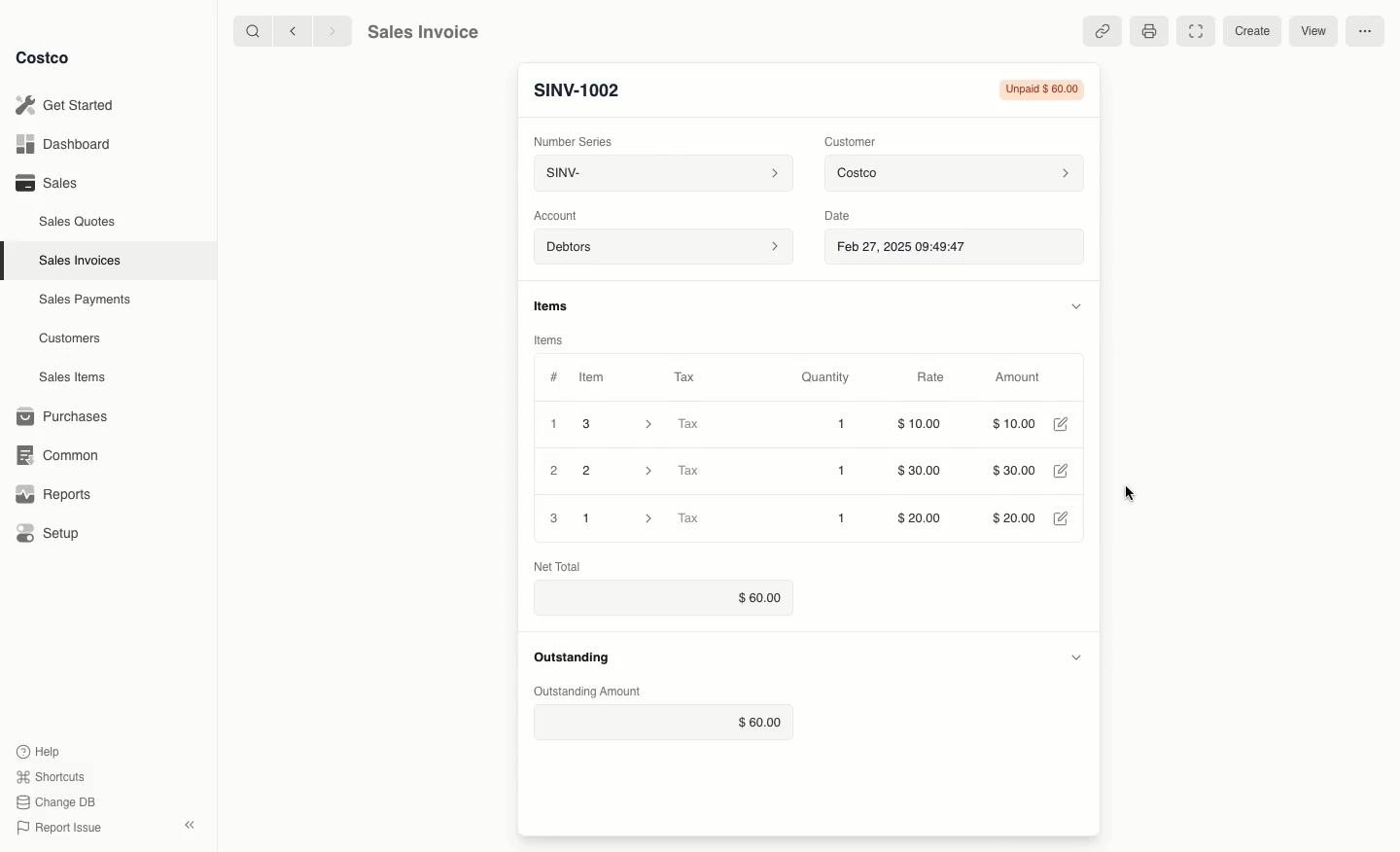 This screenshot has width=1400, height=852. Describe the element at coordinates (1129, 492) in the screenshot. I see `cursor` at that location.